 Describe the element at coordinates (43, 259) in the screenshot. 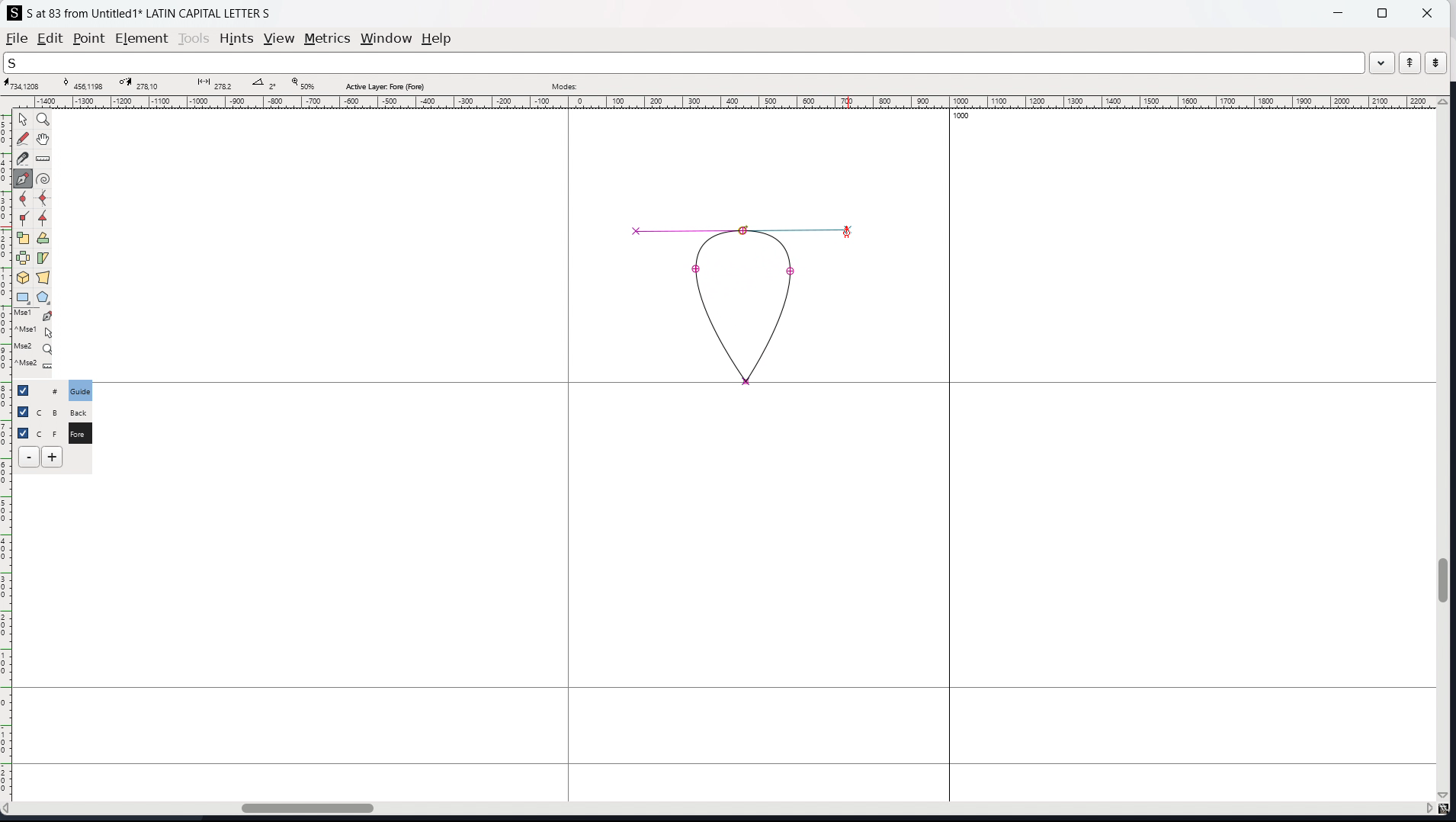

I see `skew selection` at that location.